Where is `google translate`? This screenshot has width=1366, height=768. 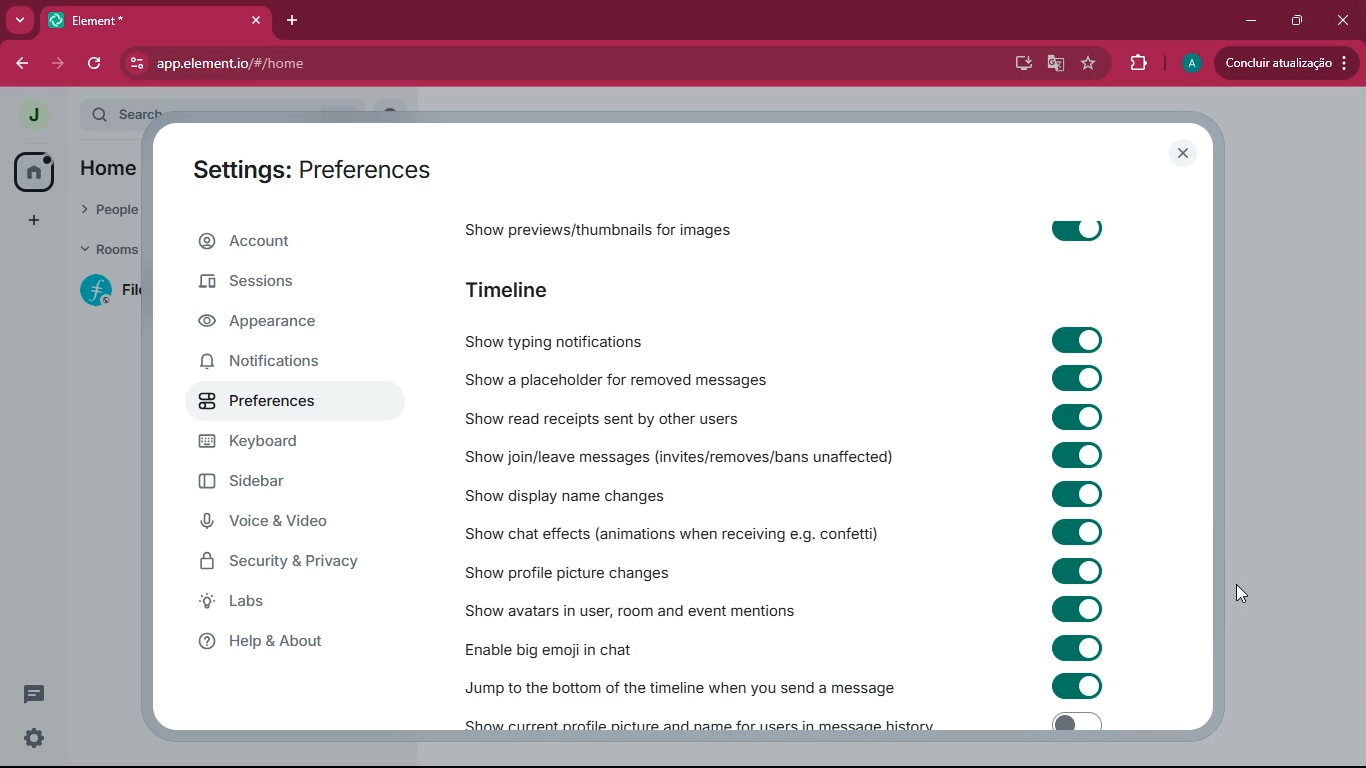 google translate is located at coordinates (1054, 64).